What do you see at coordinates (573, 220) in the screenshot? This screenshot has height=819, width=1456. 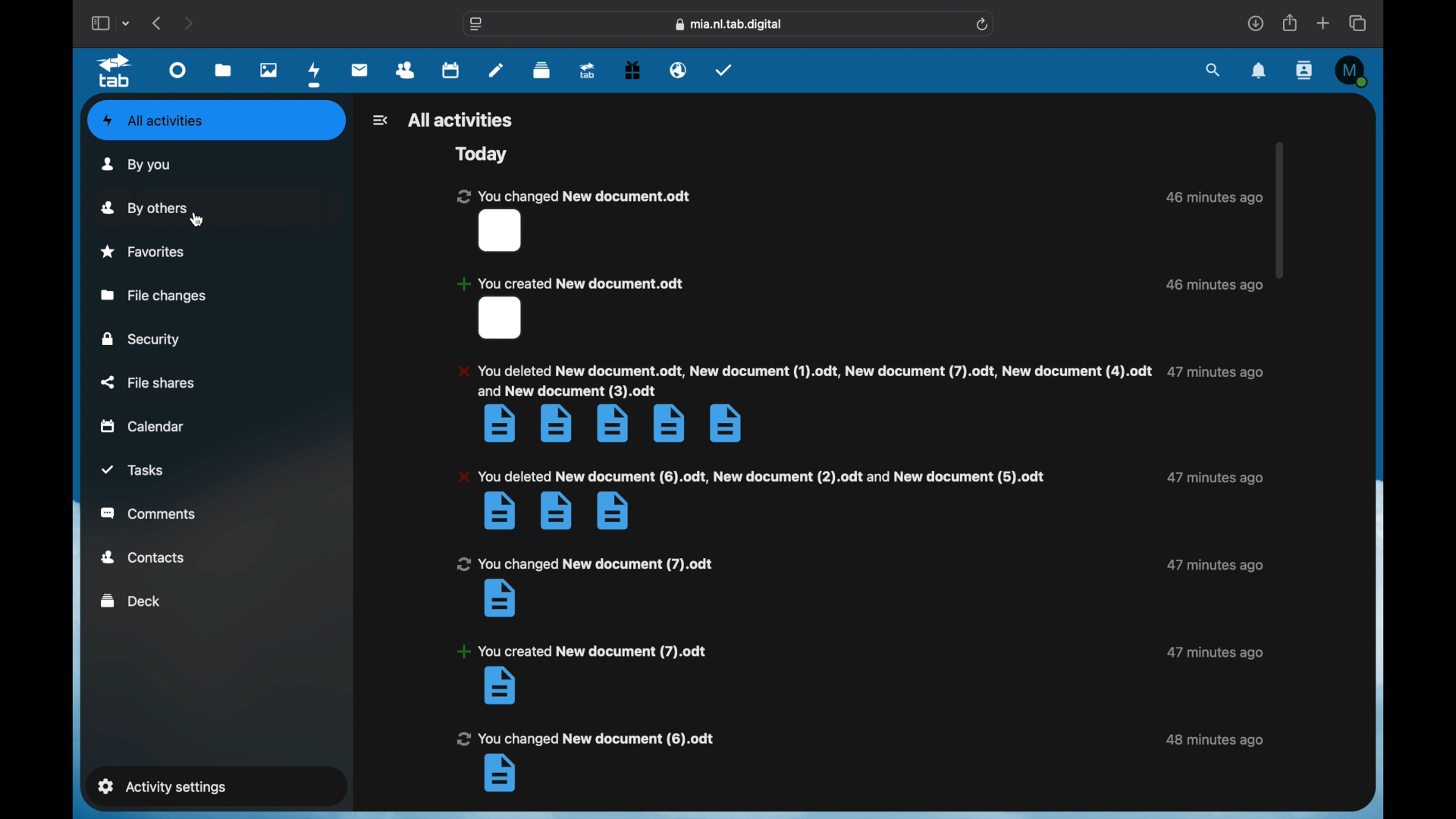 I see `notification` at bounding box center [573, 220].